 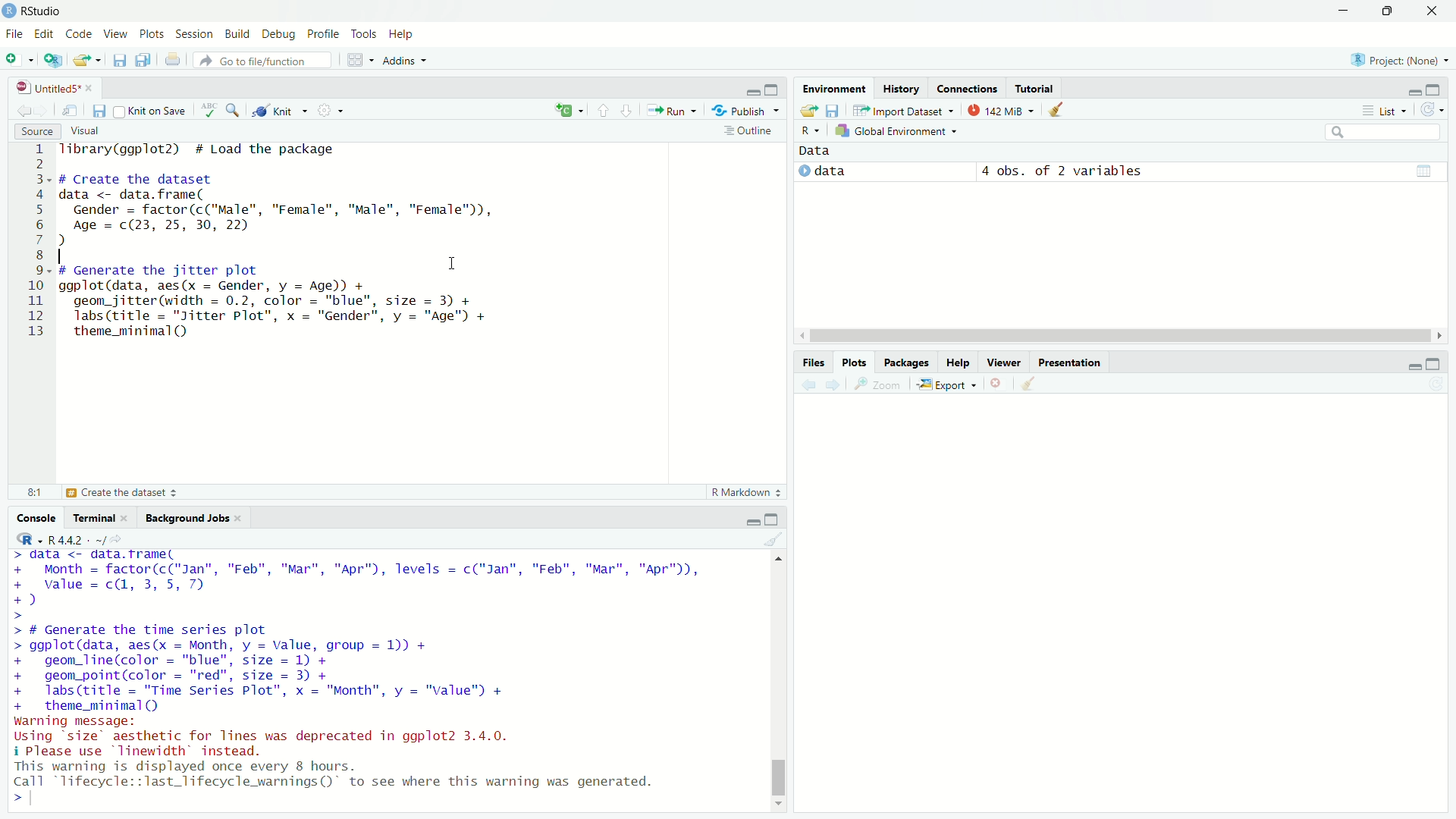 What do you see at coordinates (1439, 362) in the screenshot?
I see `maximize` at bounding box center [1439, 362].